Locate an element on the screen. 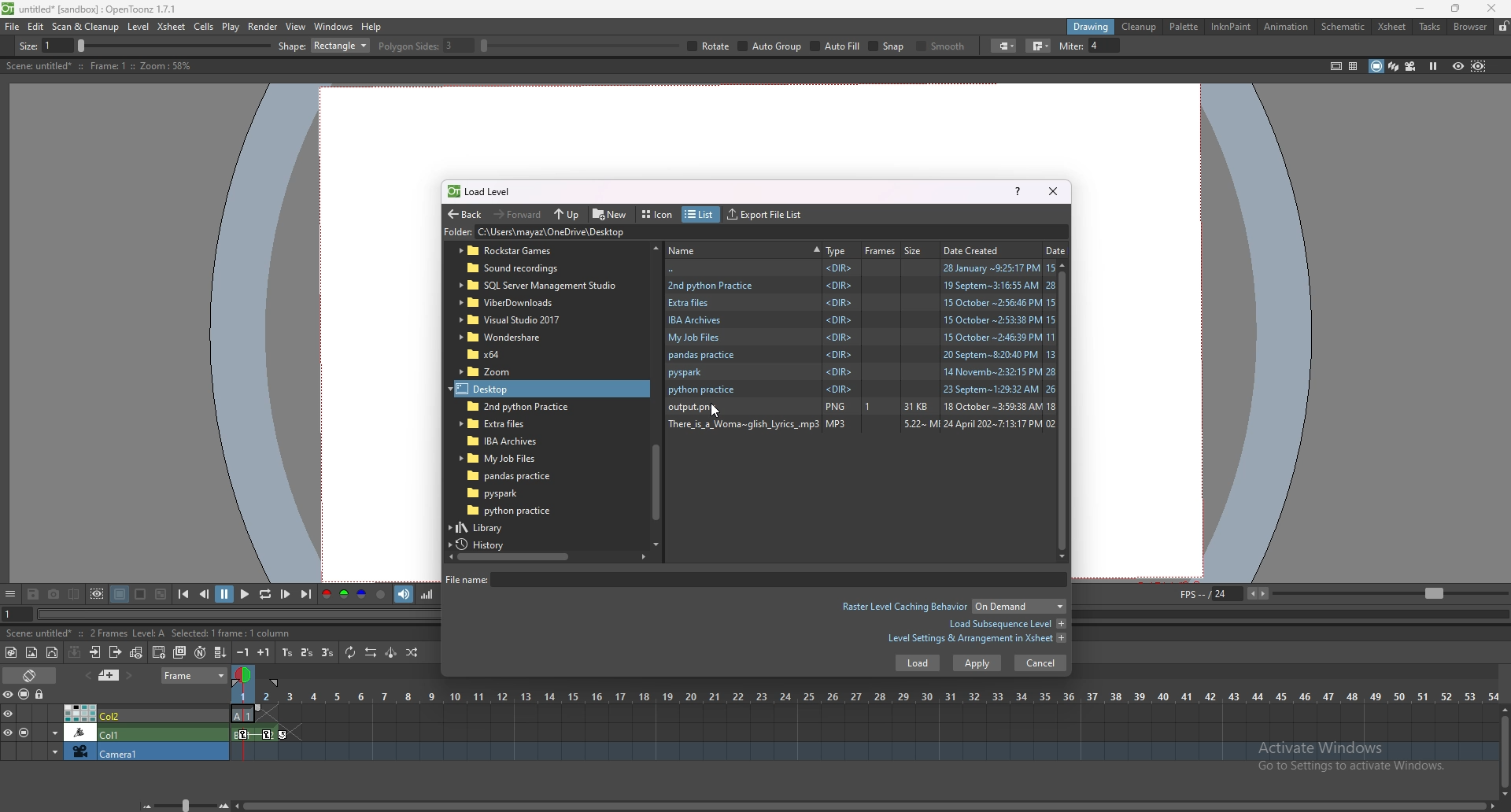  define sub camera is located at coordinates (97, 594).